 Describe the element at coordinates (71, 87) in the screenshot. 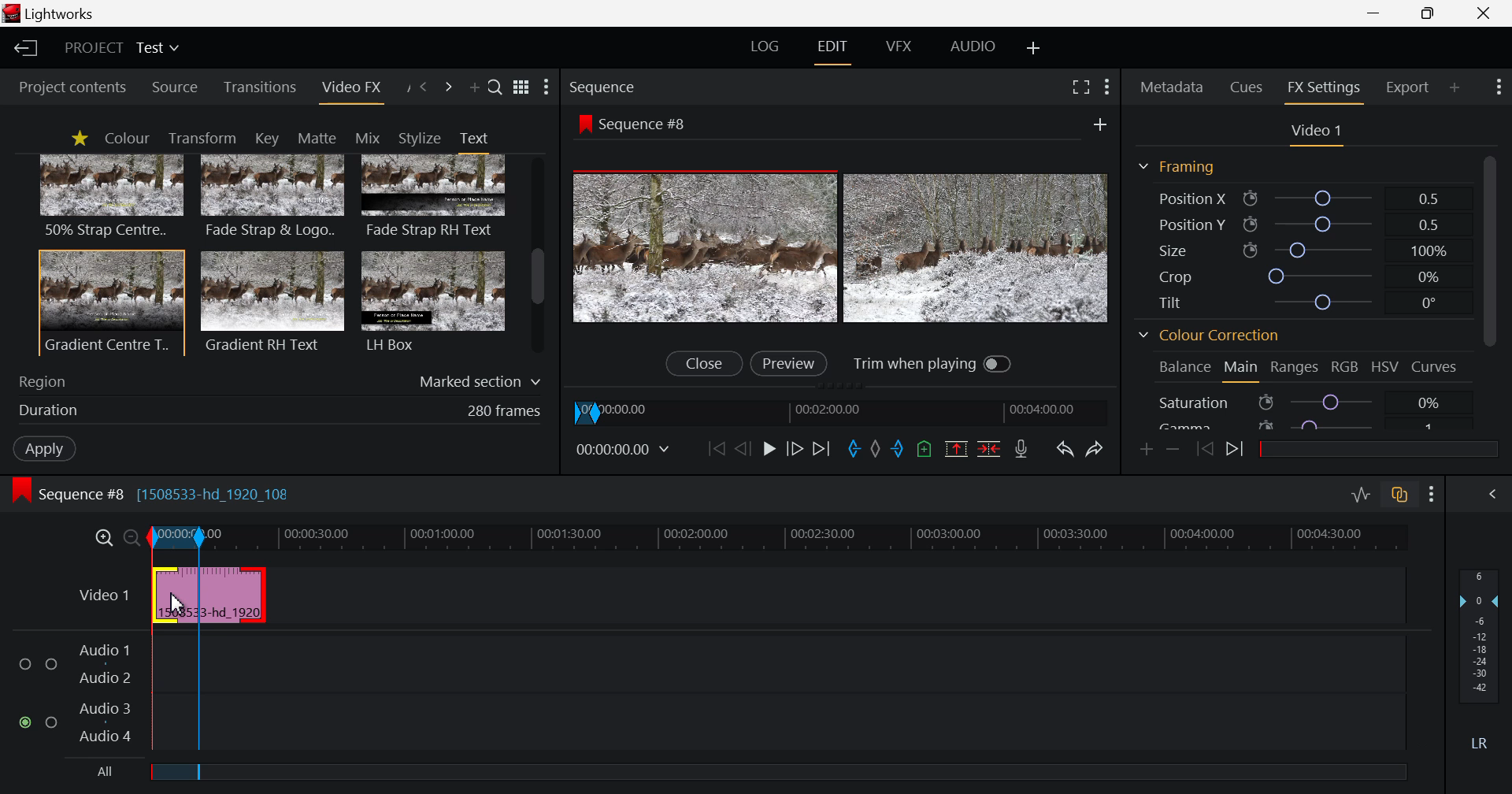

I see `Project contents` at that location.